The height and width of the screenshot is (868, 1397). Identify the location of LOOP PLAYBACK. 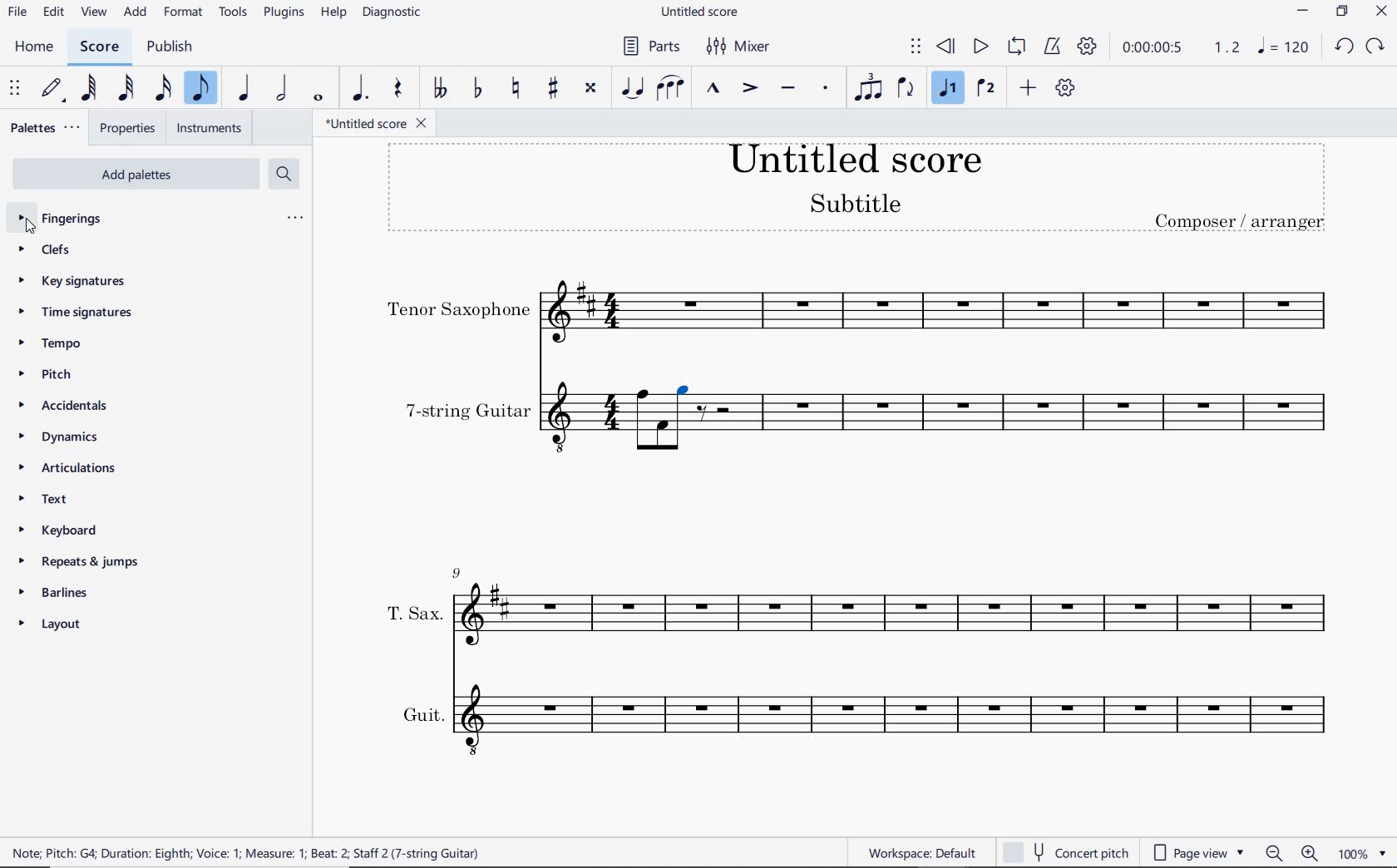
(1017, 46).